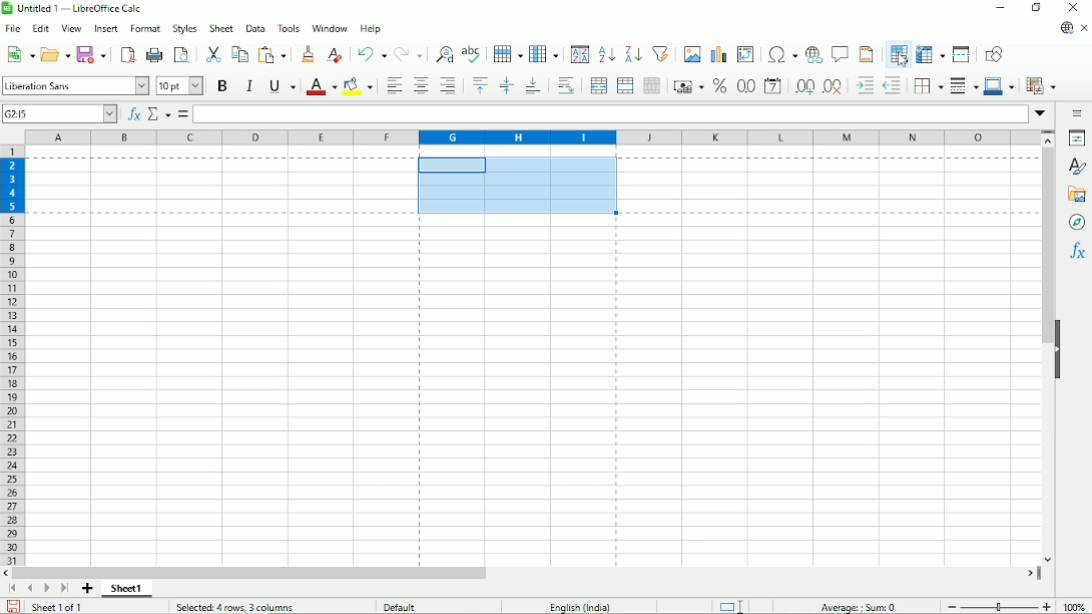 This screenshot has height=614, width=1092. What do you see at coordinates (407, 53) in the screenshot?
I see `Redo` at bounding box center [407, 53].